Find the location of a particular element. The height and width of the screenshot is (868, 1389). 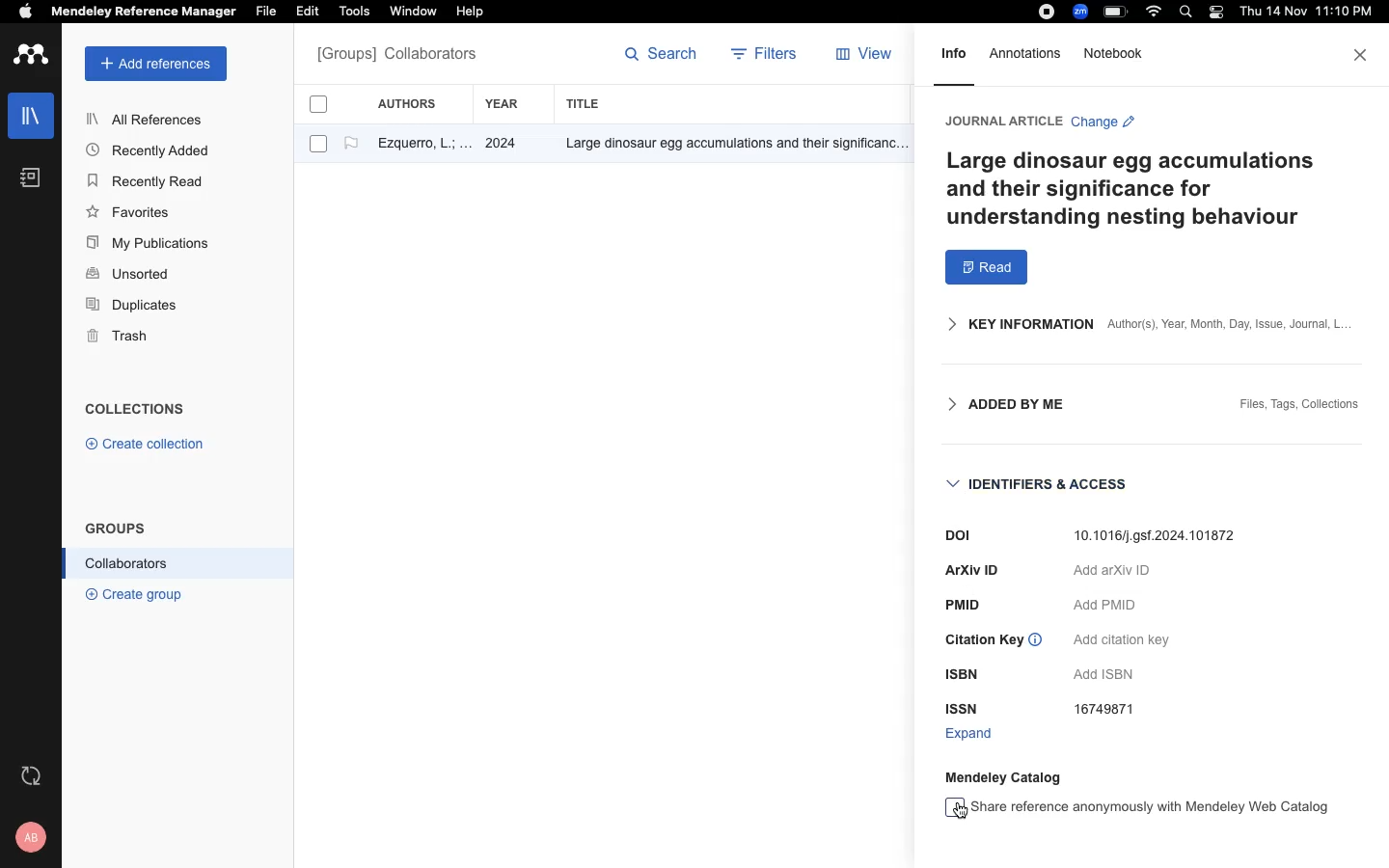

Large dinosaur egg accumulations
and their significance for
understanding nesting behaviour is located at coordinates (1137, 189).